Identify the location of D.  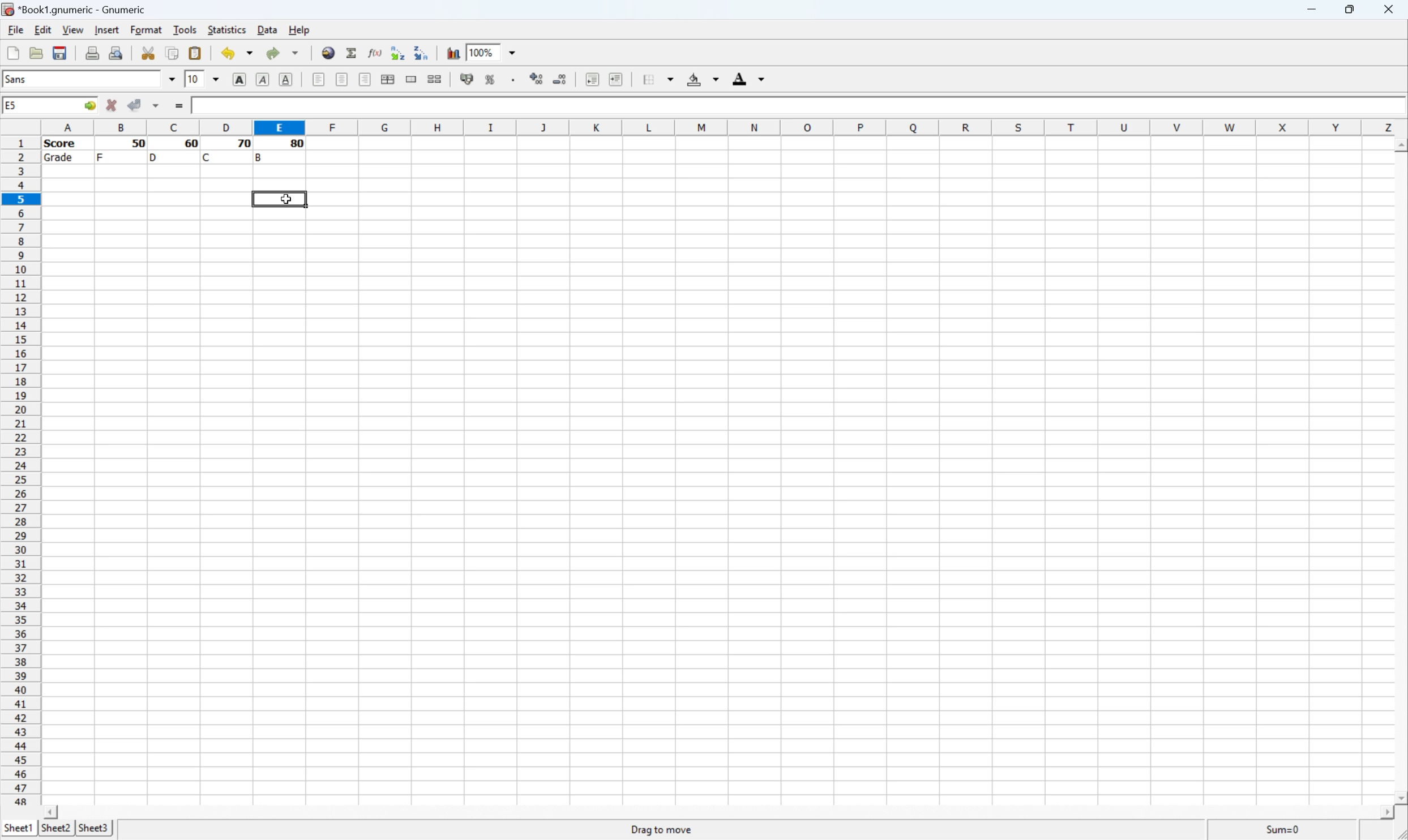
(155, 157).